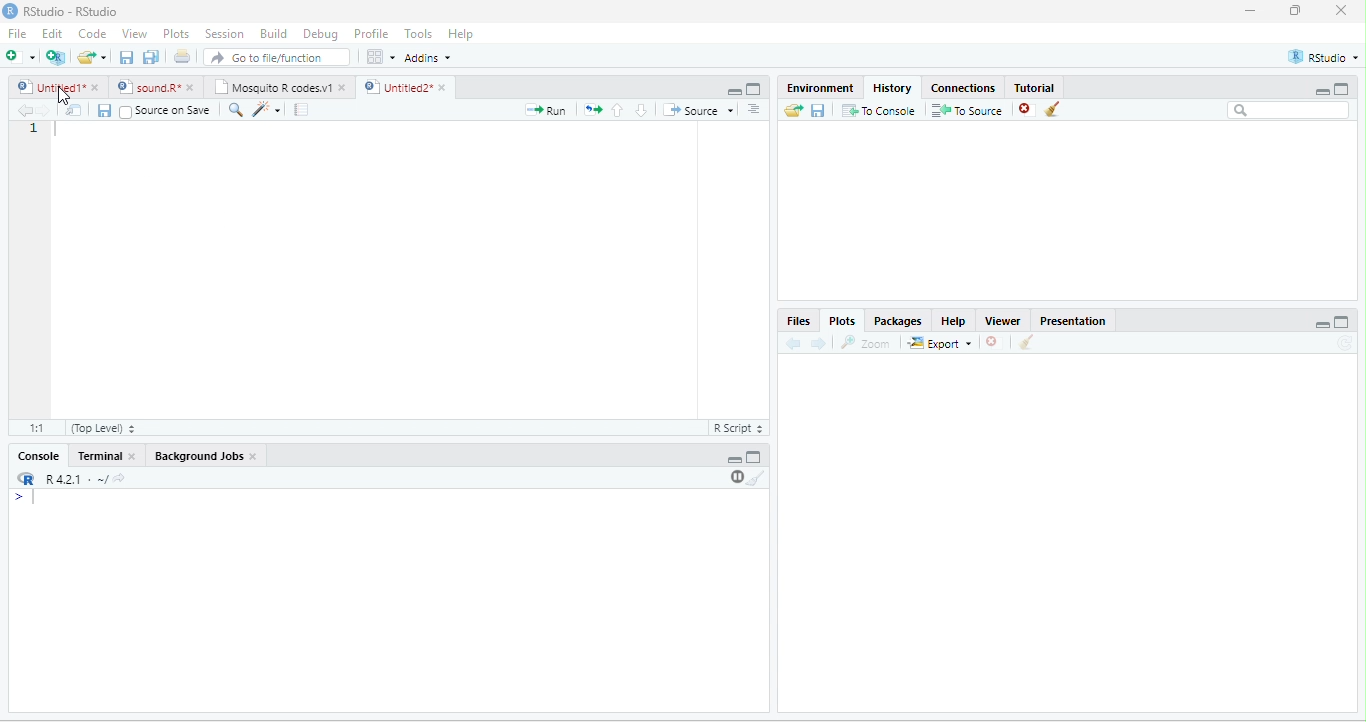  Describe the element at coordinates (25, 111) in the screenshot. I see `back` at that location.